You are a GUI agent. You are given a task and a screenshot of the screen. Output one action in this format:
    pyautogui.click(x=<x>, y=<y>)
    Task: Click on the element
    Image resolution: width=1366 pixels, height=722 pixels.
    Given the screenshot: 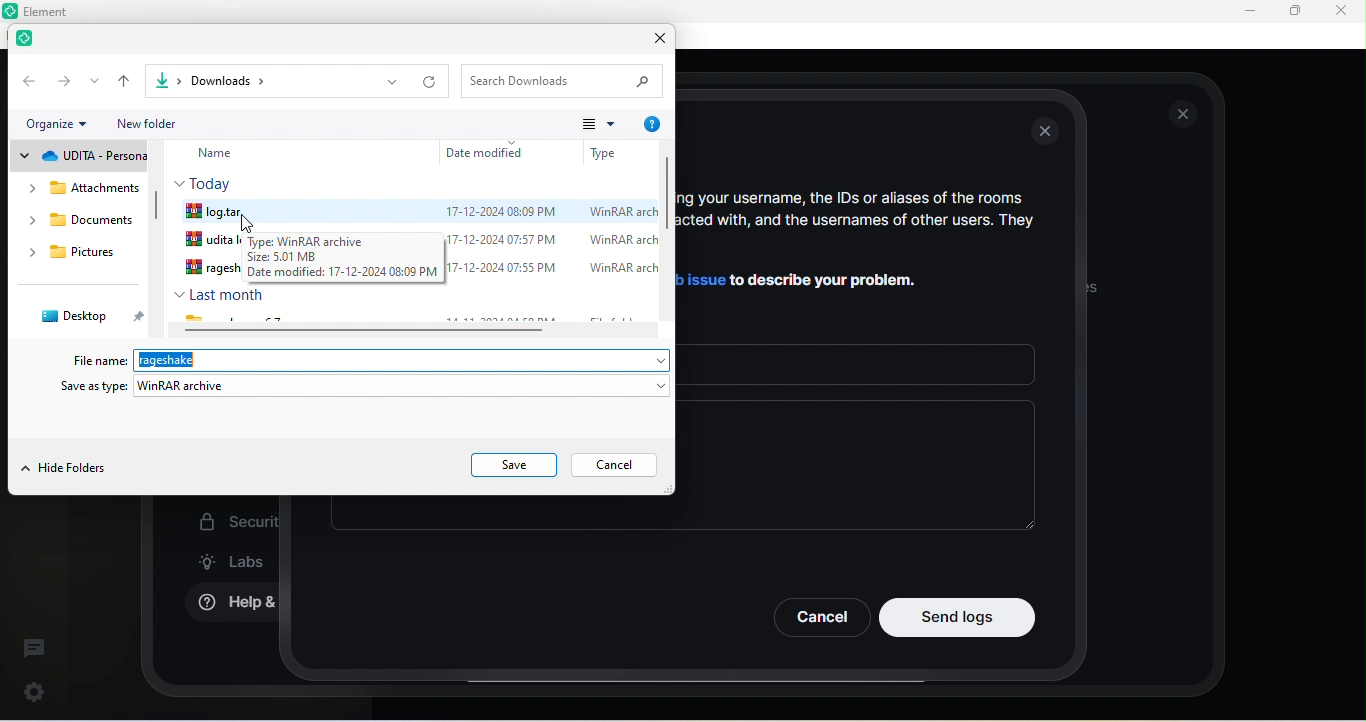 What is the action you would take?
    pyautogui.click(x=30, y=41)
    